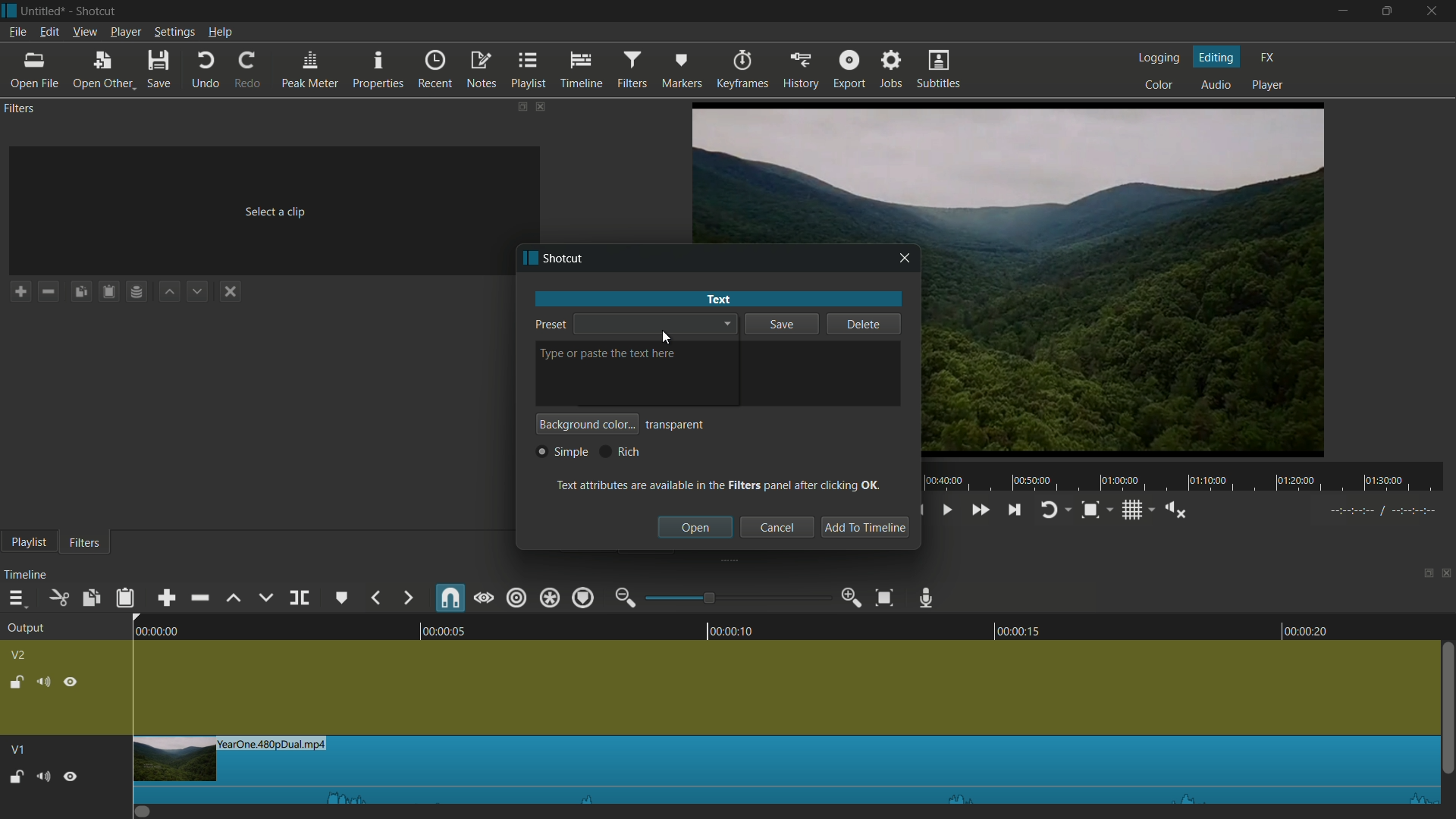 Image resolution: width=1456 pixels, height=819 pixels. Describe the element at coordinates (800, 71) in the screenshot. I see `history` at that location.